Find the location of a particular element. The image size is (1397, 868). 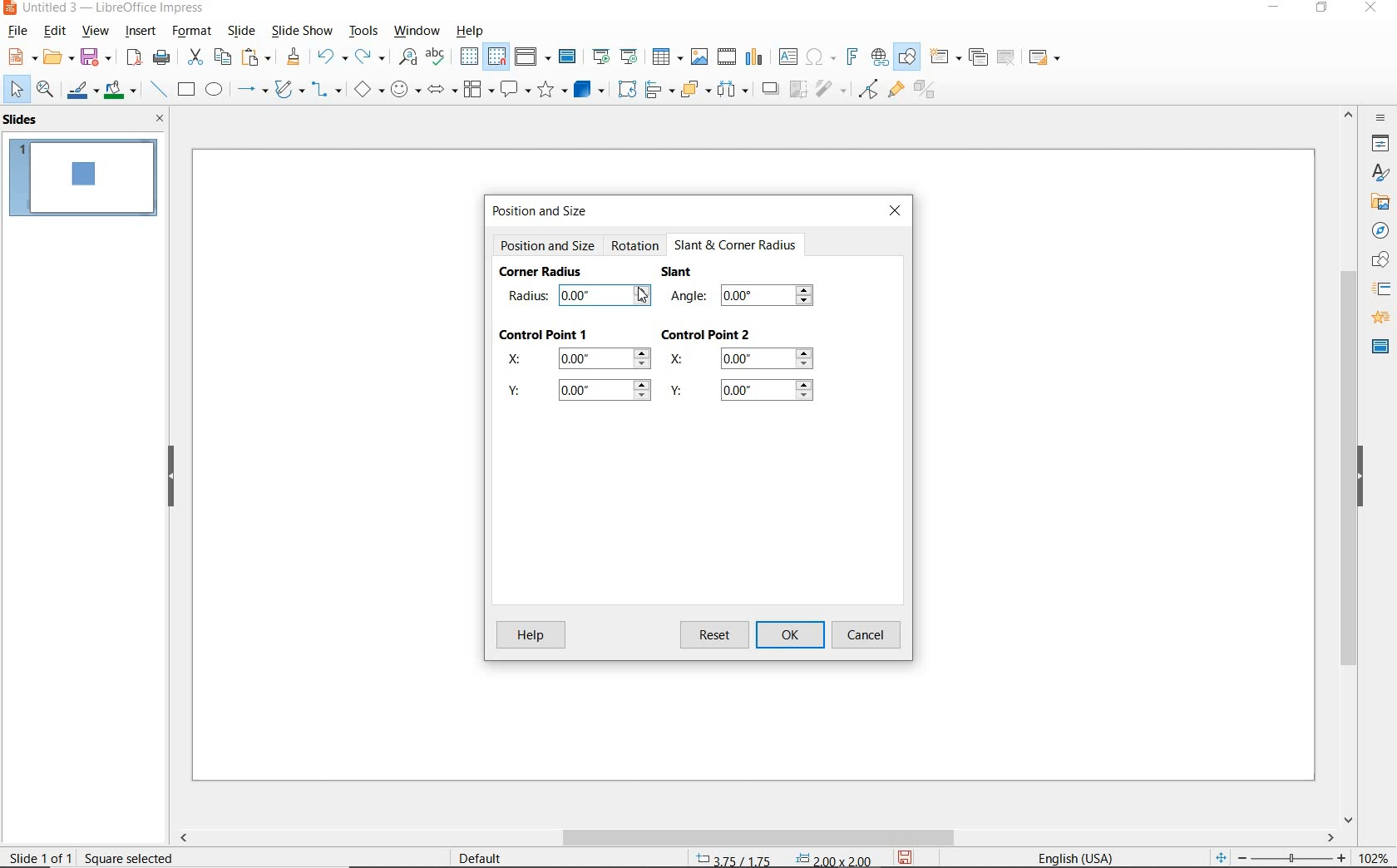

insert frontwork text is located at coordinates (852, 57).